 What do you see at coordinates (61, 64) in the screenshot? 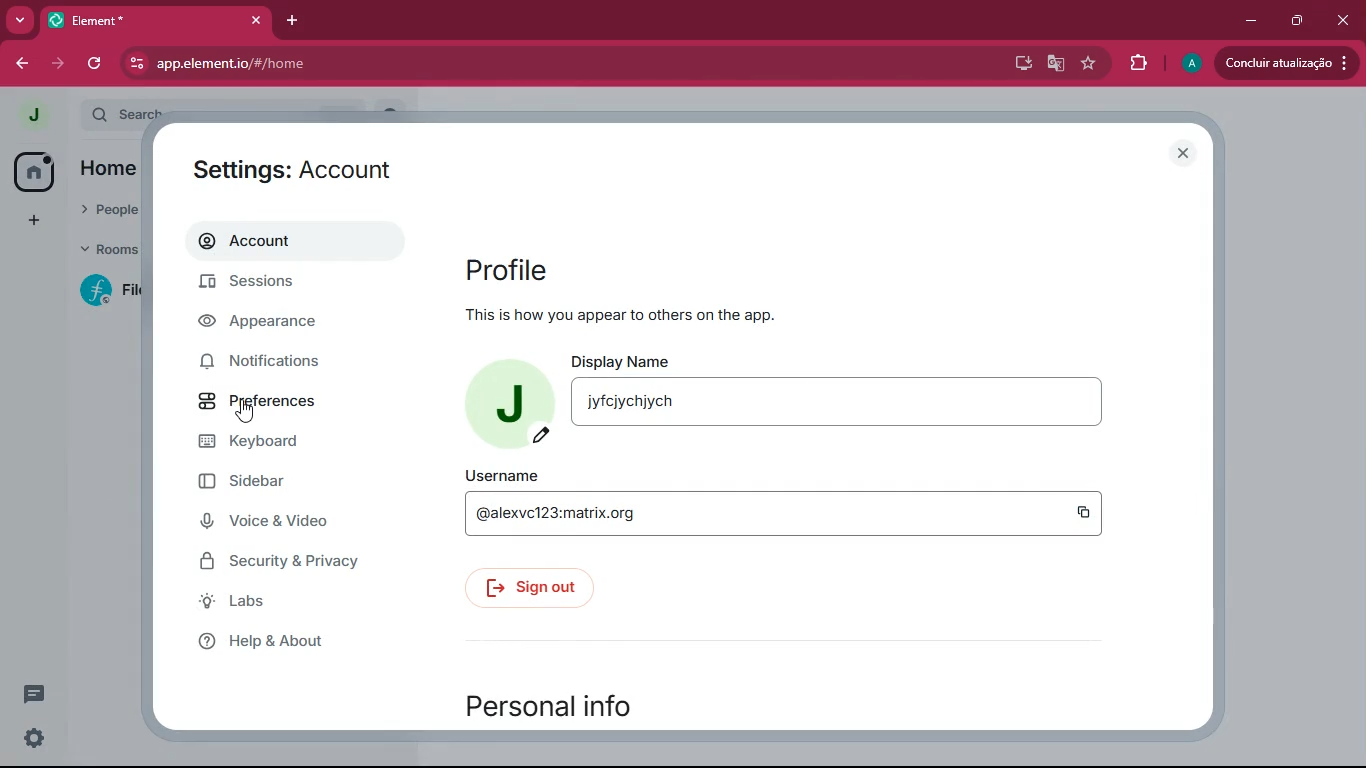
I see `forward` at bounding box center [61, 64].